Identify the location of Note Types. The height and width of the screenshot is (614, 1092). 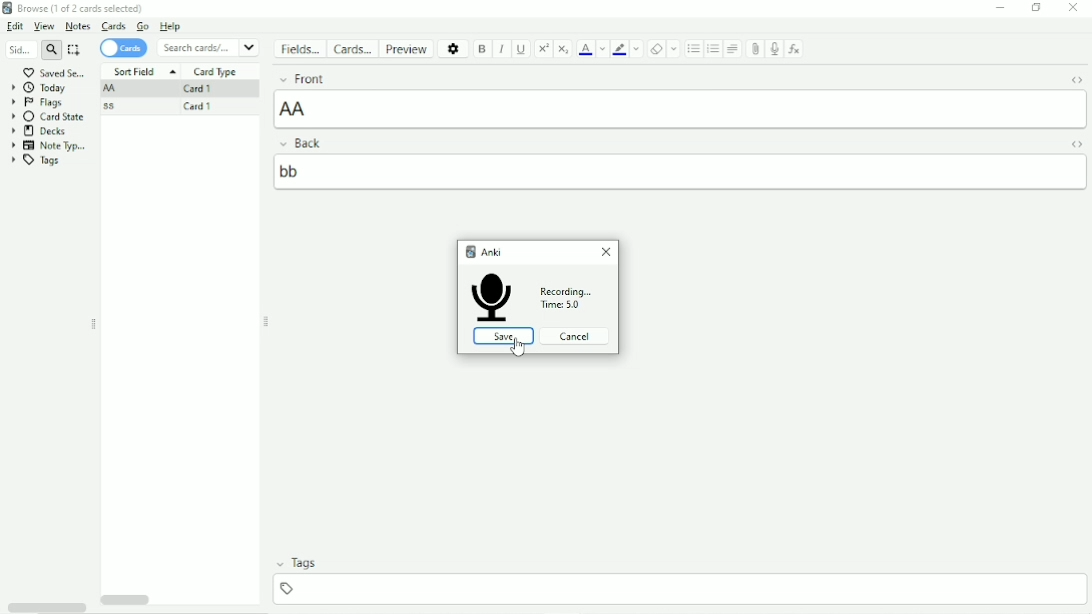
(50, 145).